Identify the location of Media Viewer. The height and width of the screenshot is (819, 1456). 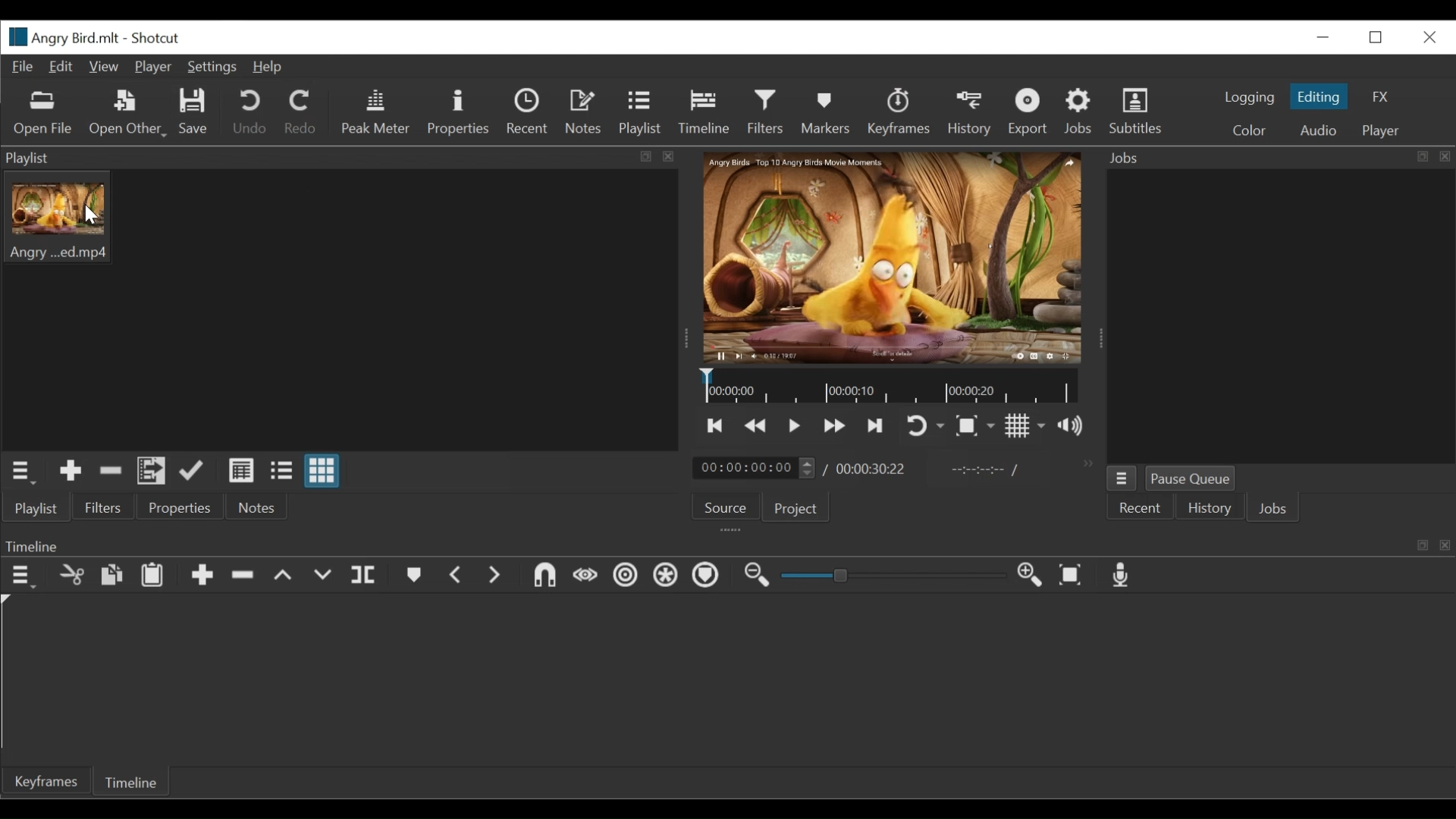
(894, 257).